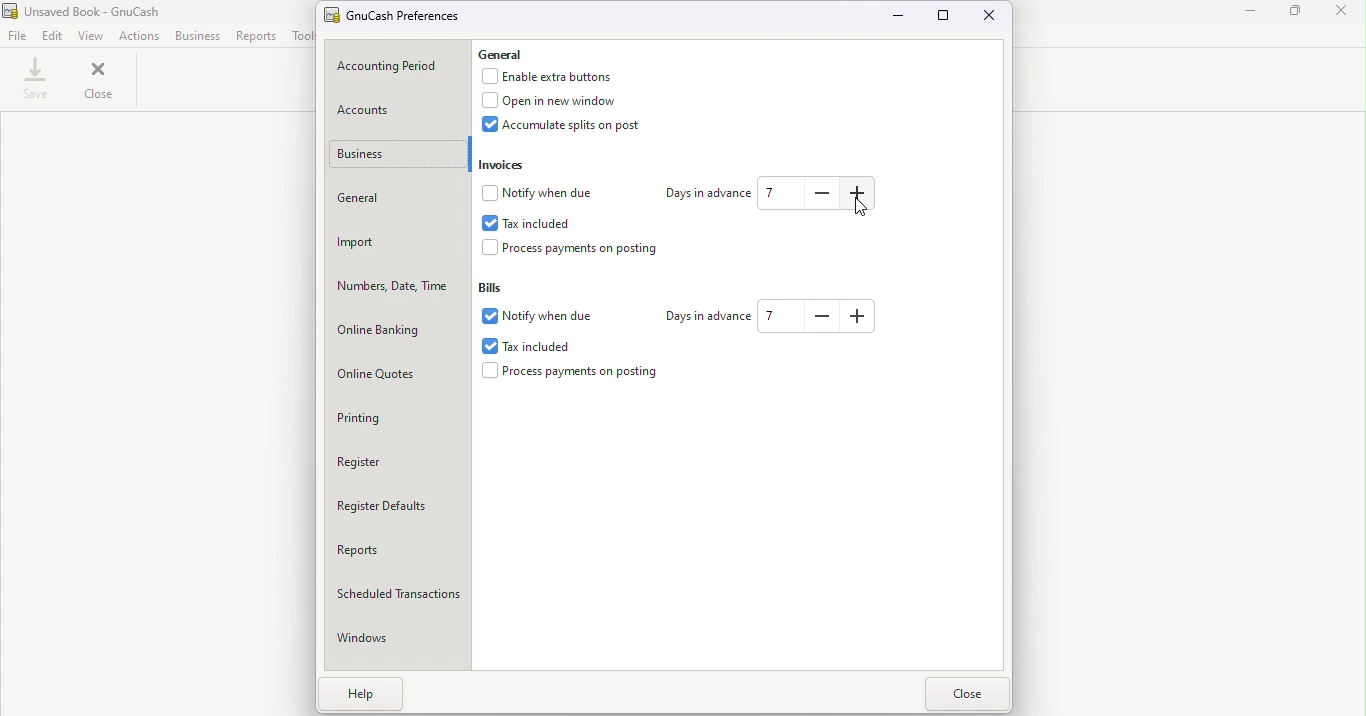 The height and width of the screenshot is (716, 1366). I want to click on how many days in the future to warn about invoices coming due, so click(825, 193).